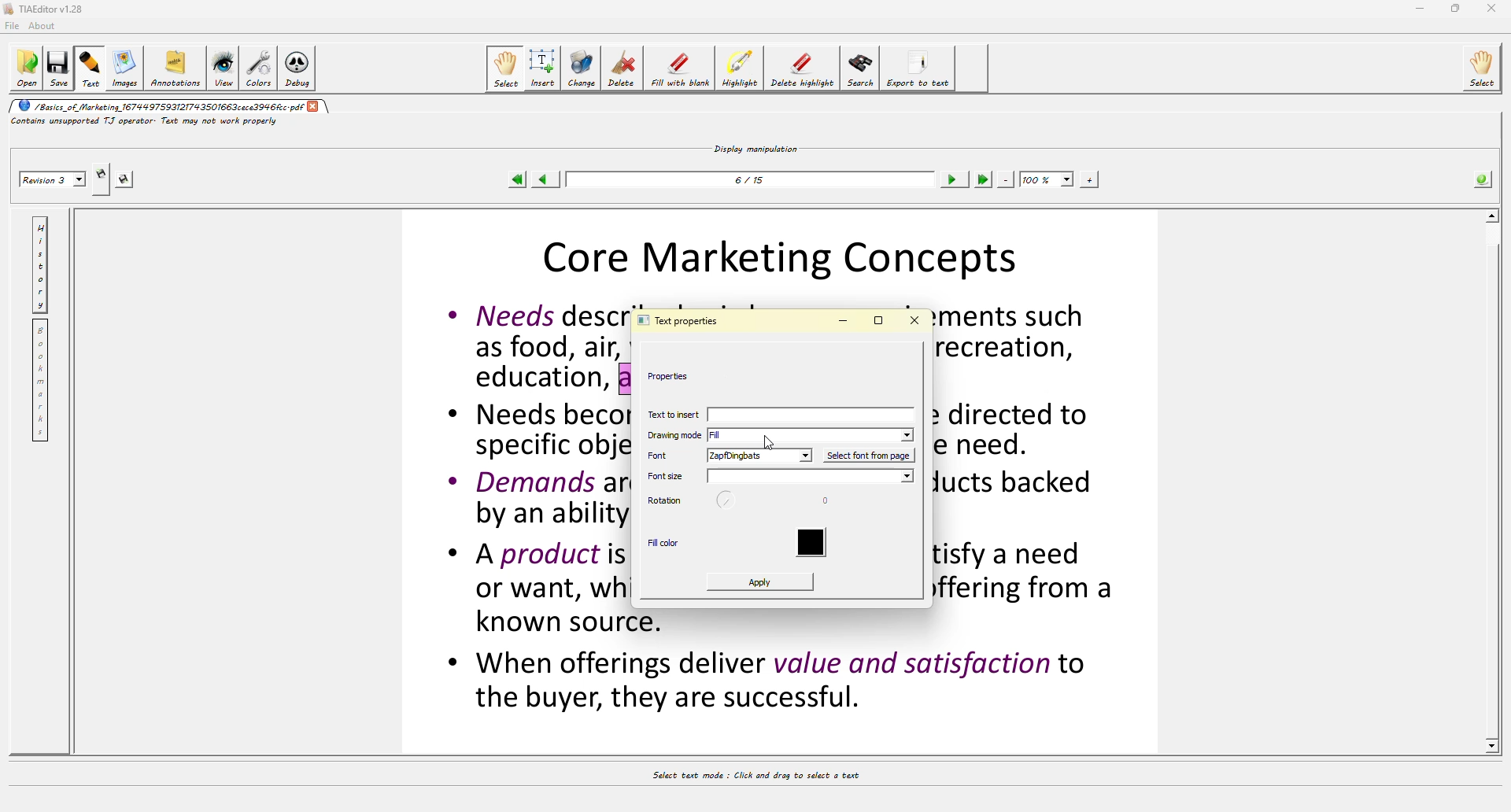 The height and width of the screenshot is (812, 1511). Describe the element at coordinates (1456, 8) in the screenshot. I see `maximize` at that location.